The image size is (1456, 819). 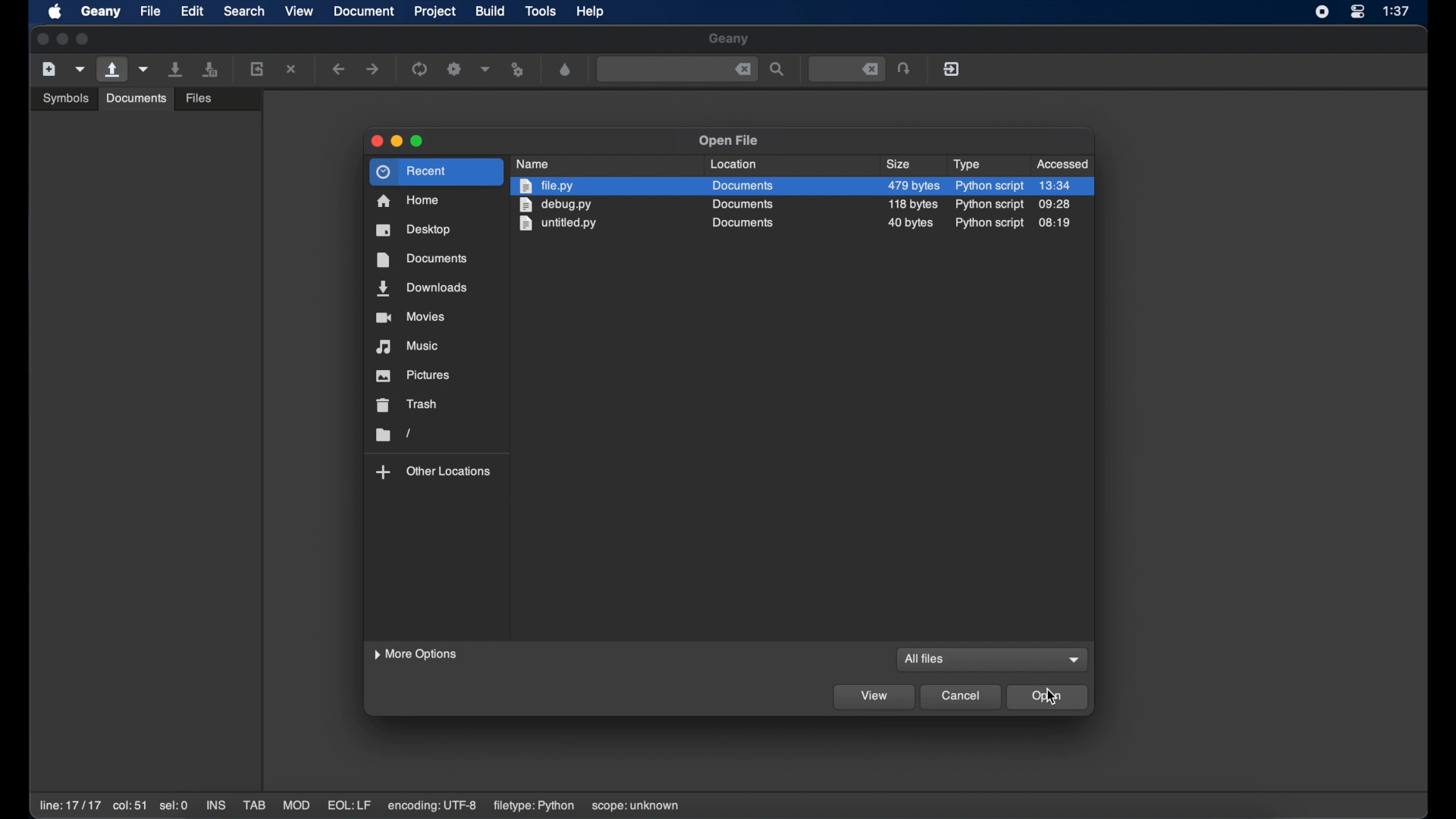 I want to click on close, so click(x=375, y=141).